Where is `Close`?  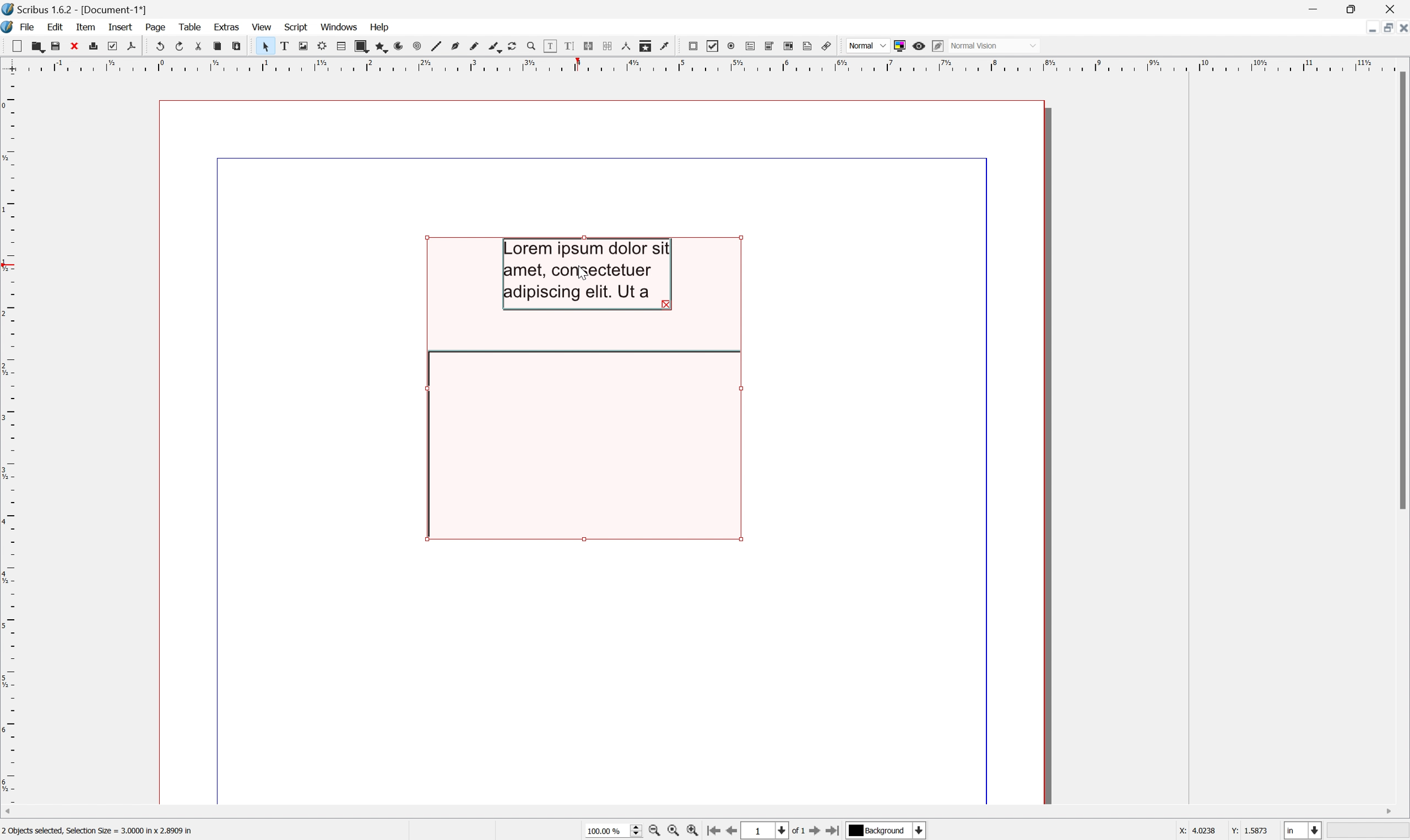 Close is located at coordinates (1392, 8).